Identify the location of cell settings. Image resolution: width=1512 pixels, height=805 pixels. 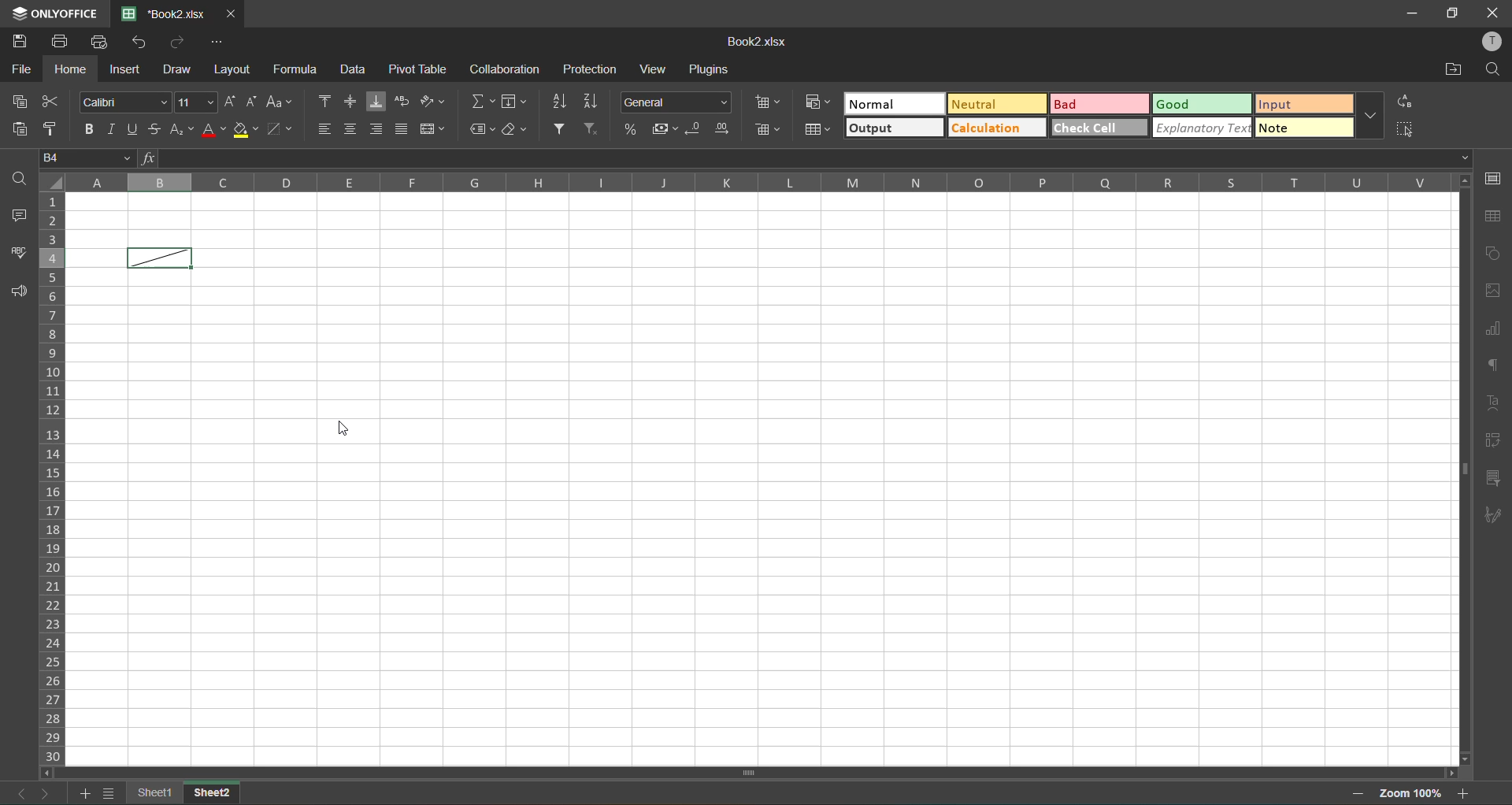
(1495, 178).